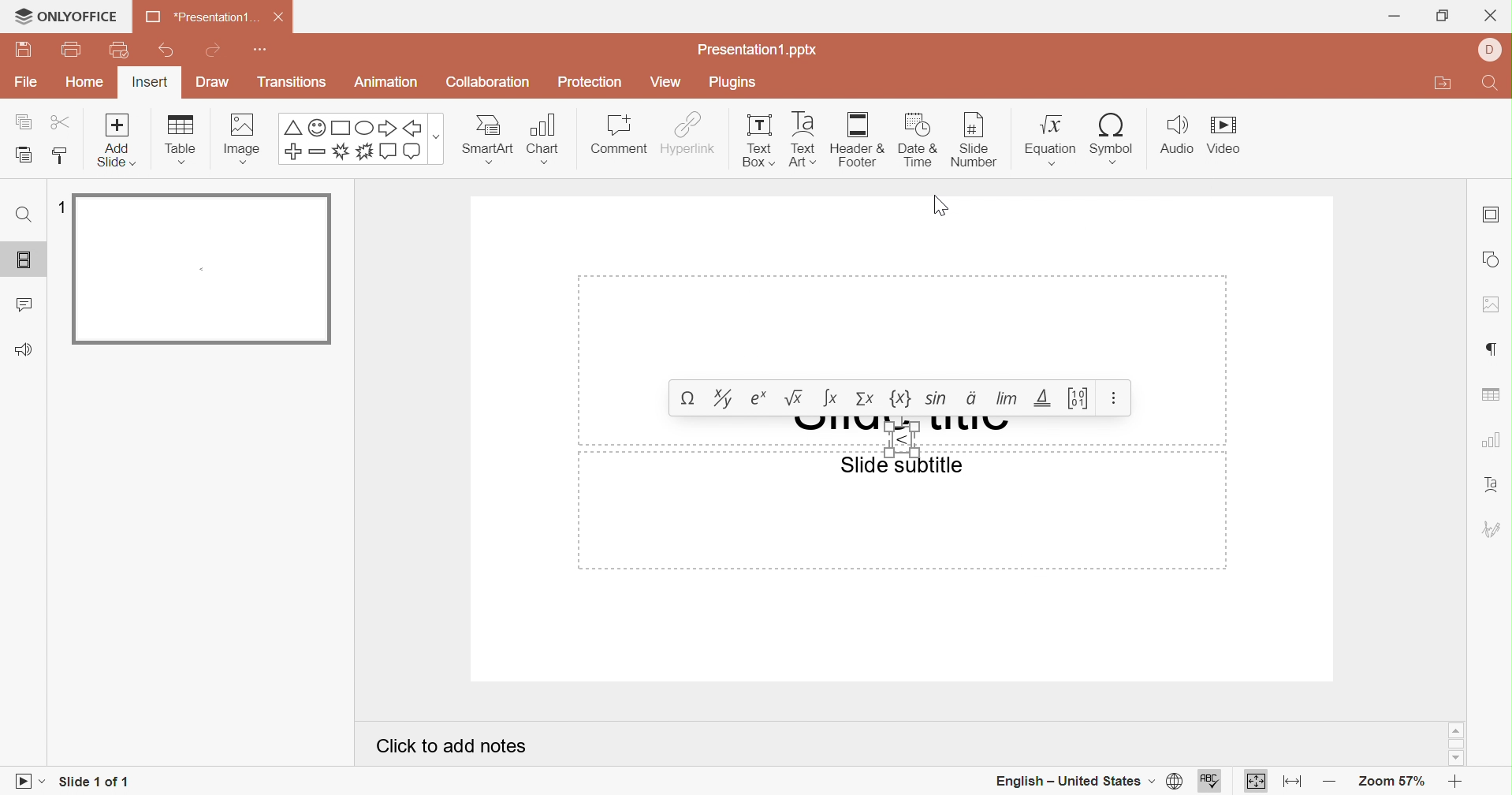 This screenshot has width=1512, height=795. What do you see at coordinates (1493, 50) in the screenshot?
I see `Profile` at bounding box center [1493, 50].